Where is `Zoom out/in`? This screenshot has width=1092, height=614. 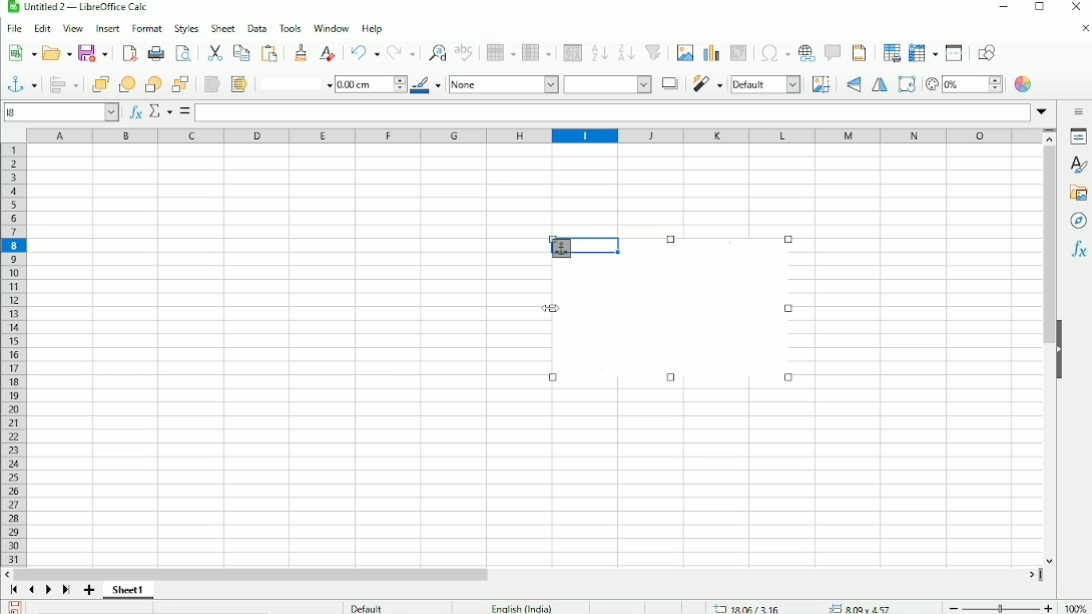 Zoom out/in is located at coordinates (997, 606).